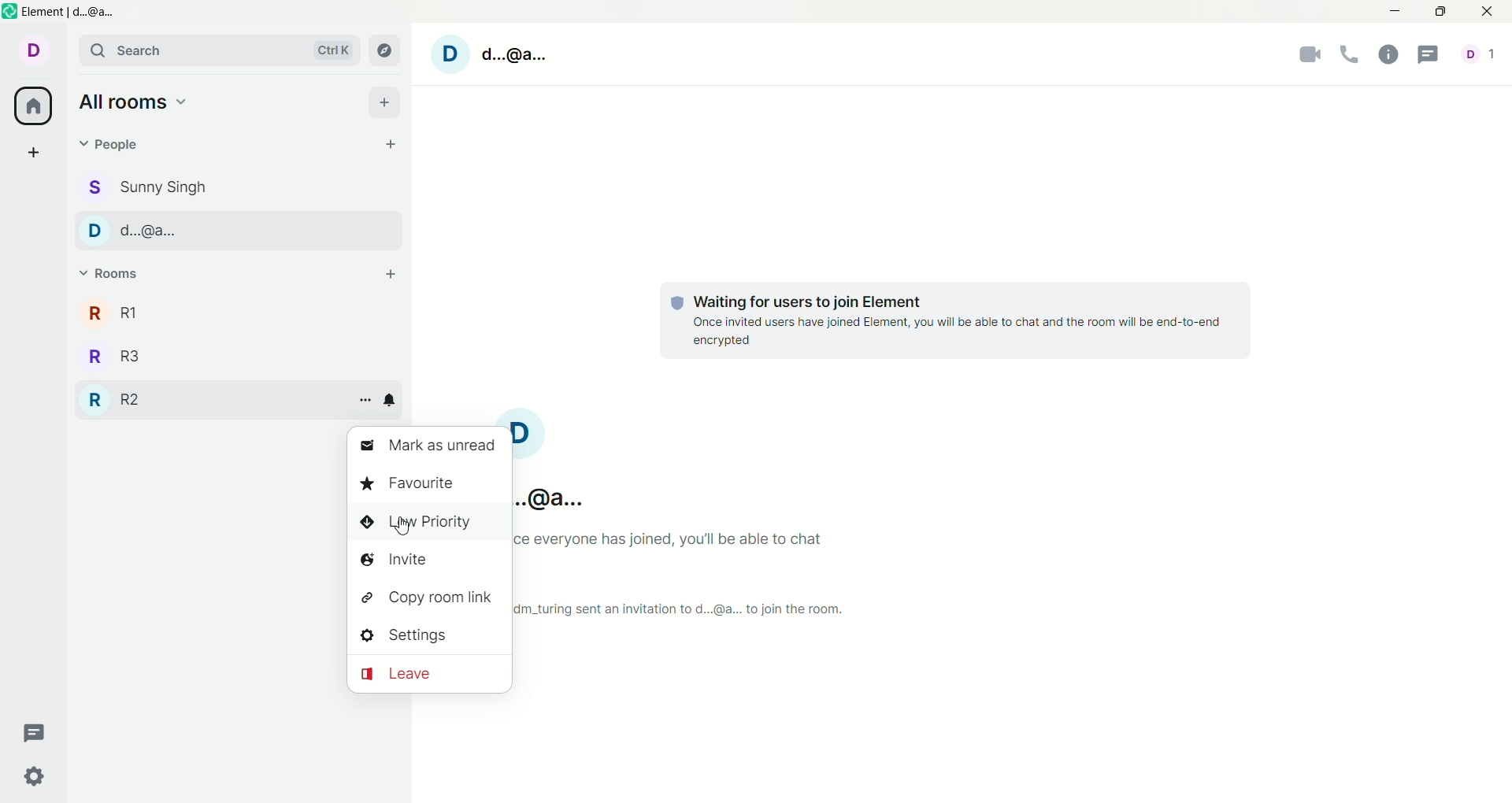 This screenshot has width=1512, height=803. Describe the element at coordinates (1425, 55) in the screenshot. I see `threads` at that location.